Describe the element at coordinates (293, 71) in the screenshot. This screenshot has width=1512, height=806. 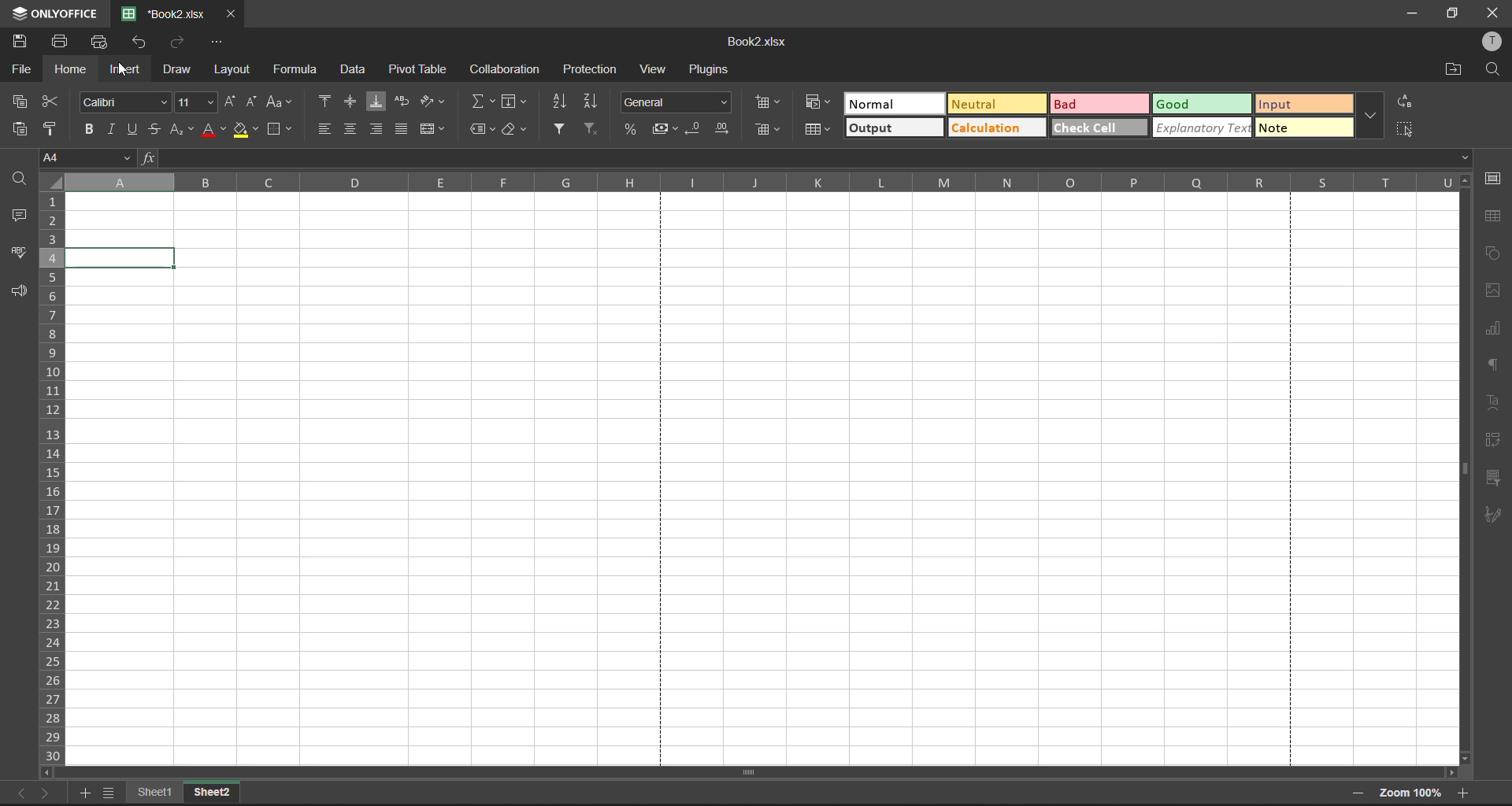
I see `formula` at that location.